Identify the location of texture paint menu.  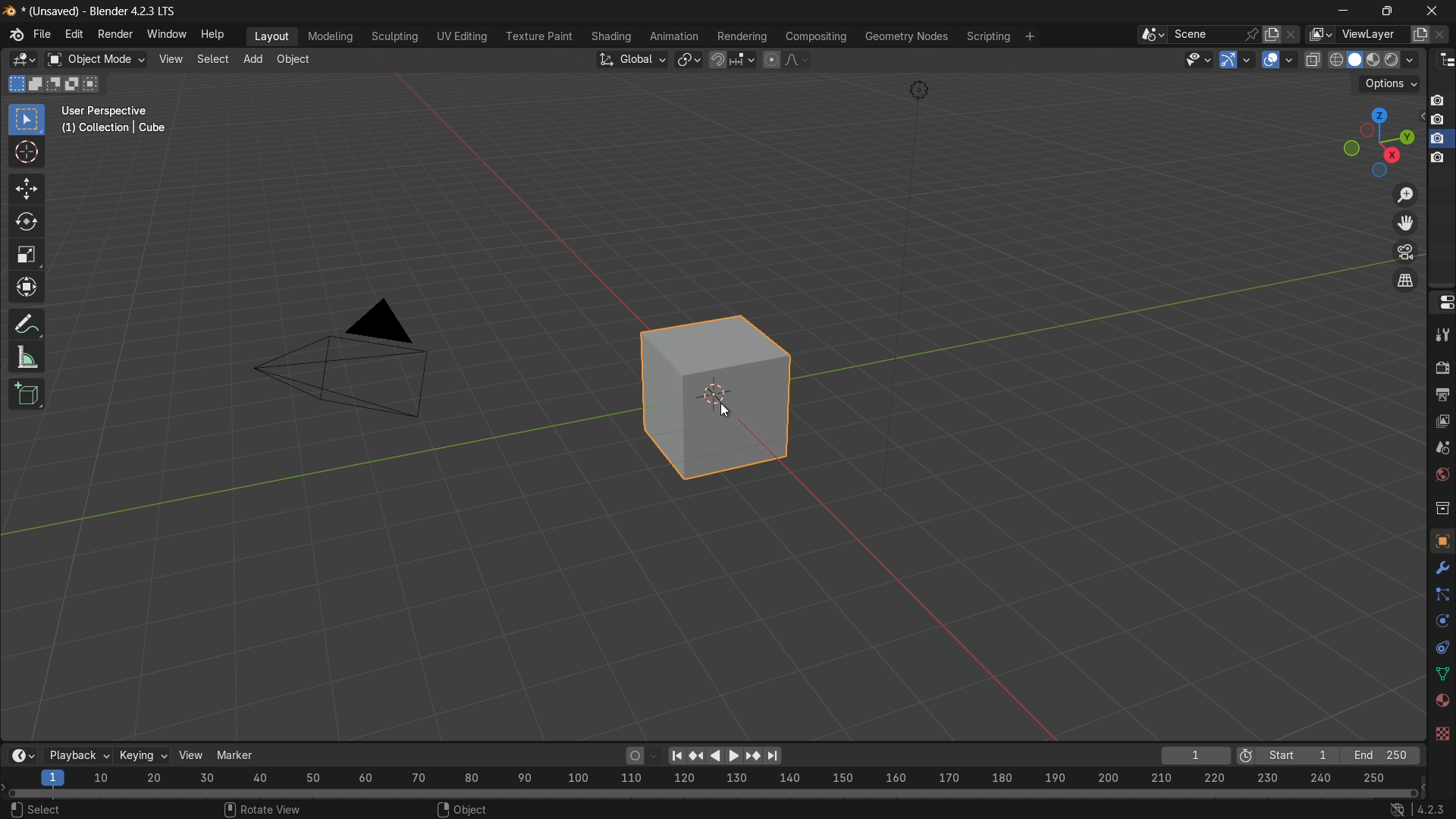
(535, 38).